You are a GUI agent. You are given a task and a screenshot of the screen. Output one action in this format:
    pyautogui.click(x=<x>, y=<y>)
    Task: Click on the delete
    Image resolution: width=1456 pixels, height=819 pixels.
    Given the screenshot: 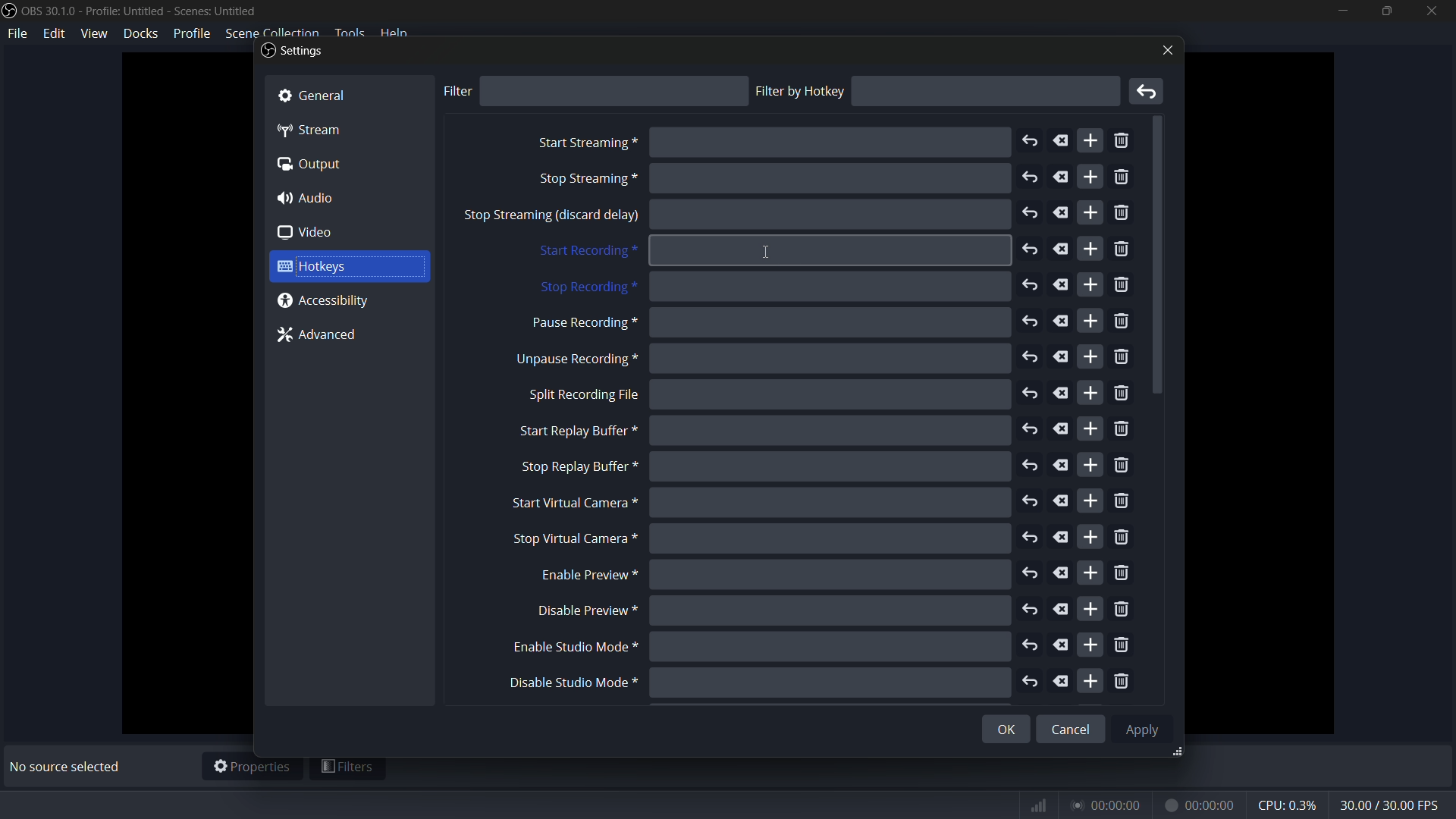 What is the action you would take?
    pyautogui.click(x=1062, y=321)
    